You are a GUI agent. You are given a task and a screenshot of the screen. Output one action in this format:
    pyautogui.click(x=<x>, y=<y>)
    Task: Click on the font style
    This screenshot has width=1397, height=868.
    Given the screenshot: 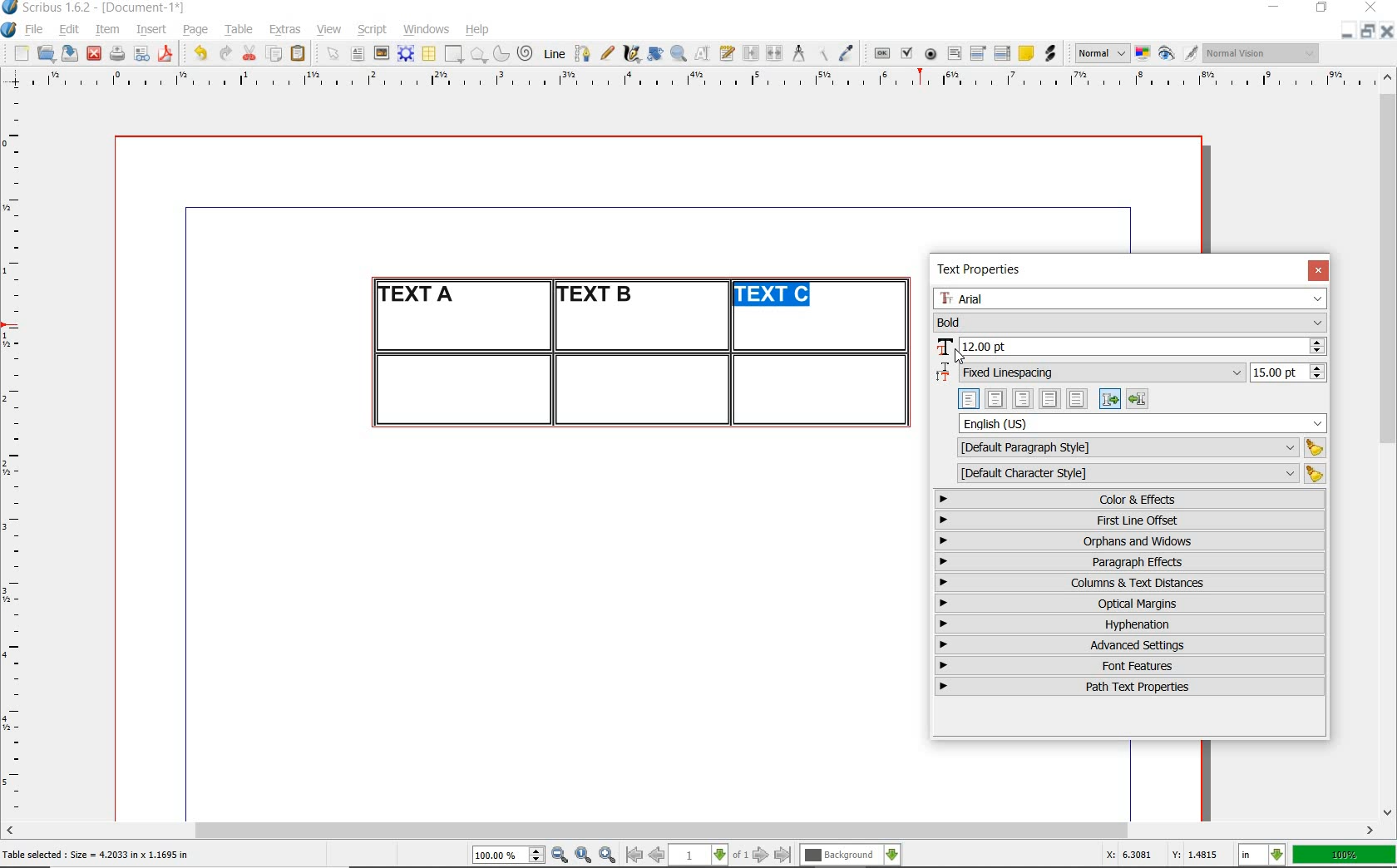 What is the action you would take?
    pyautogui.click(x=1131, y=323)
    